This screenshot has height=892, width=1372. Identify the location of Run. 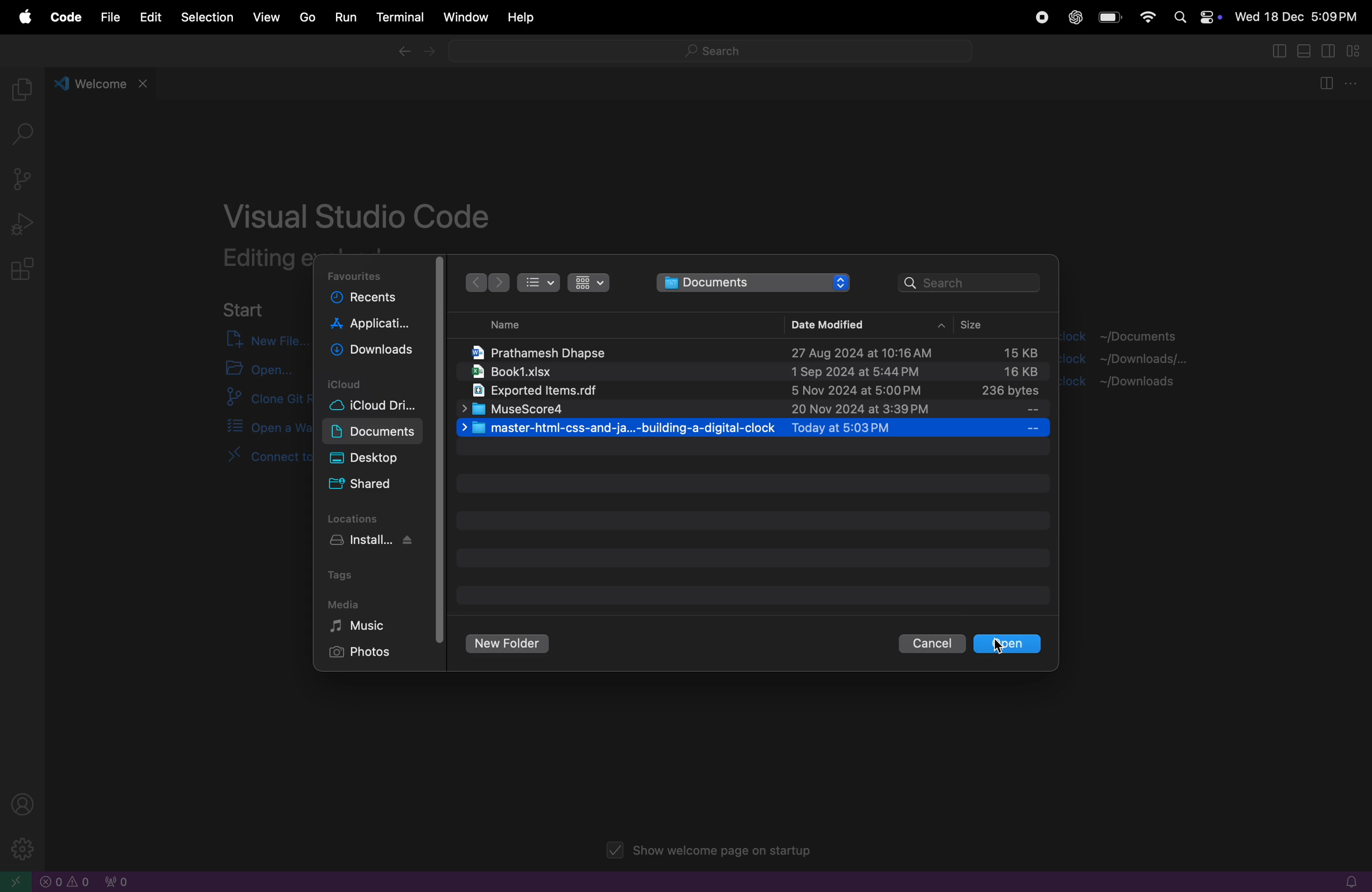
(344, 18).